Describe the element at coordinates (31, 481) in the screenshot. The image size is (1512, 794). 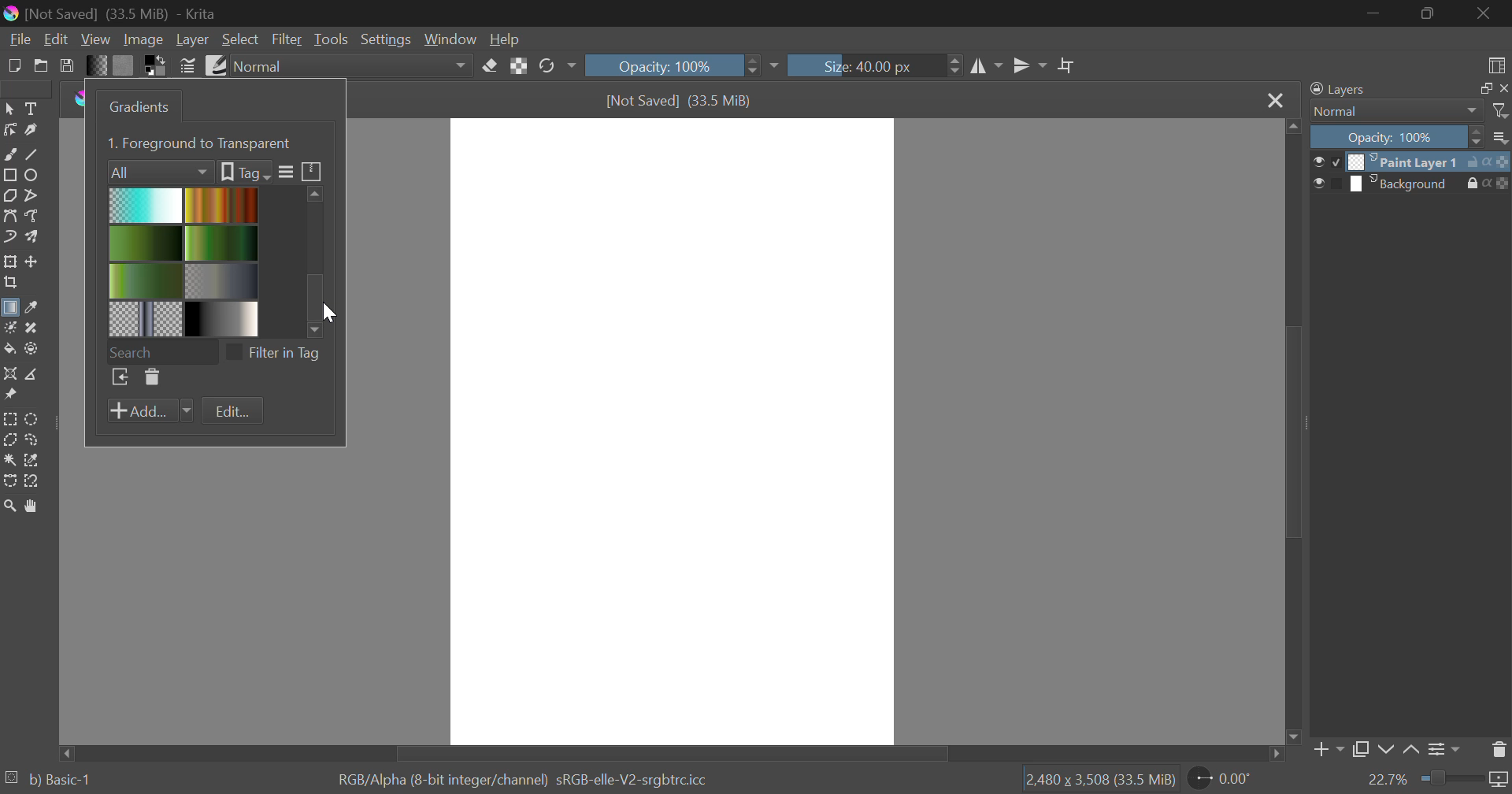
I see `Magnetic Selection` at that location.